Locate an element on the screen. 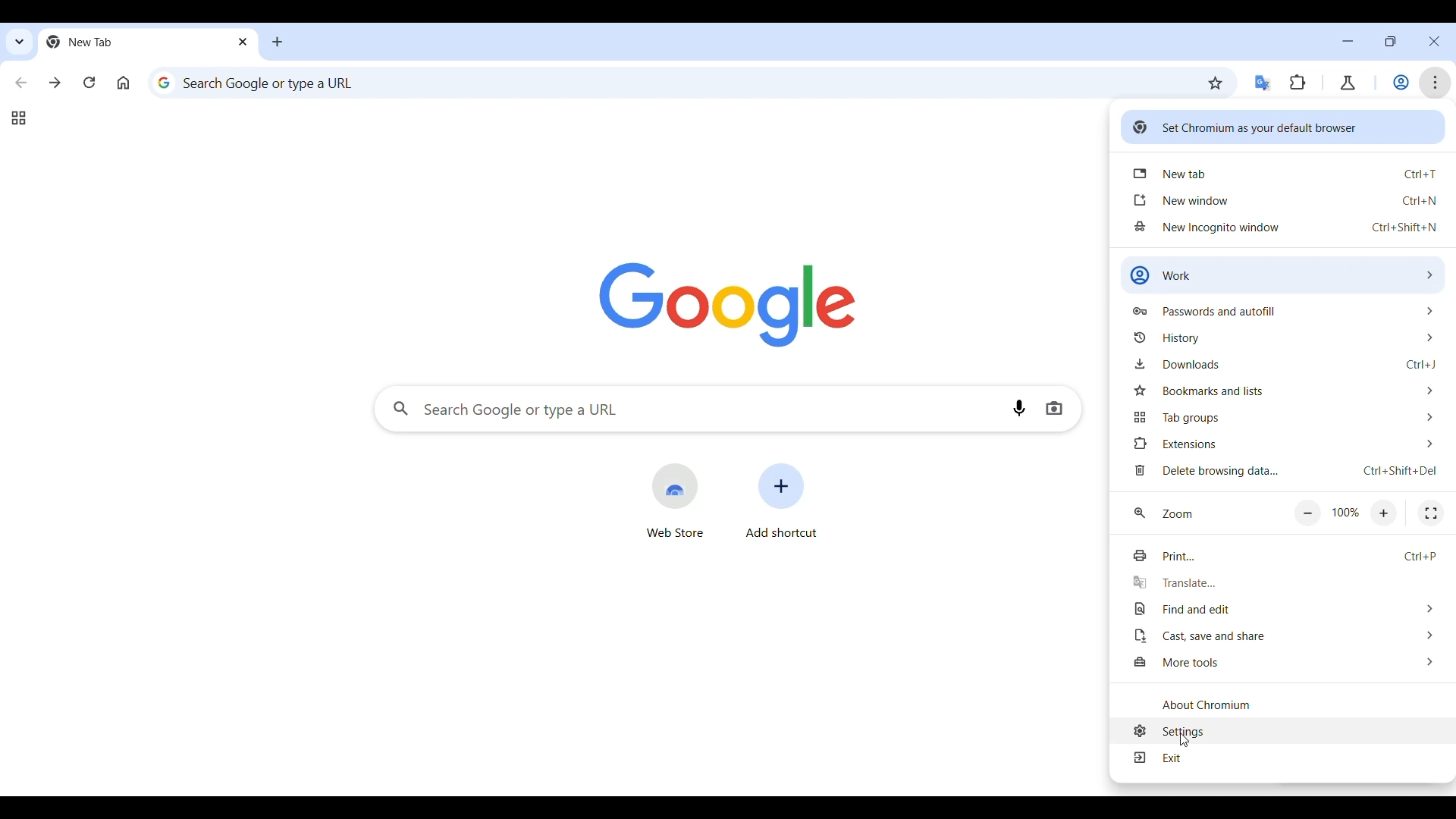  Search by audio is located at coordinates (1019, 408).